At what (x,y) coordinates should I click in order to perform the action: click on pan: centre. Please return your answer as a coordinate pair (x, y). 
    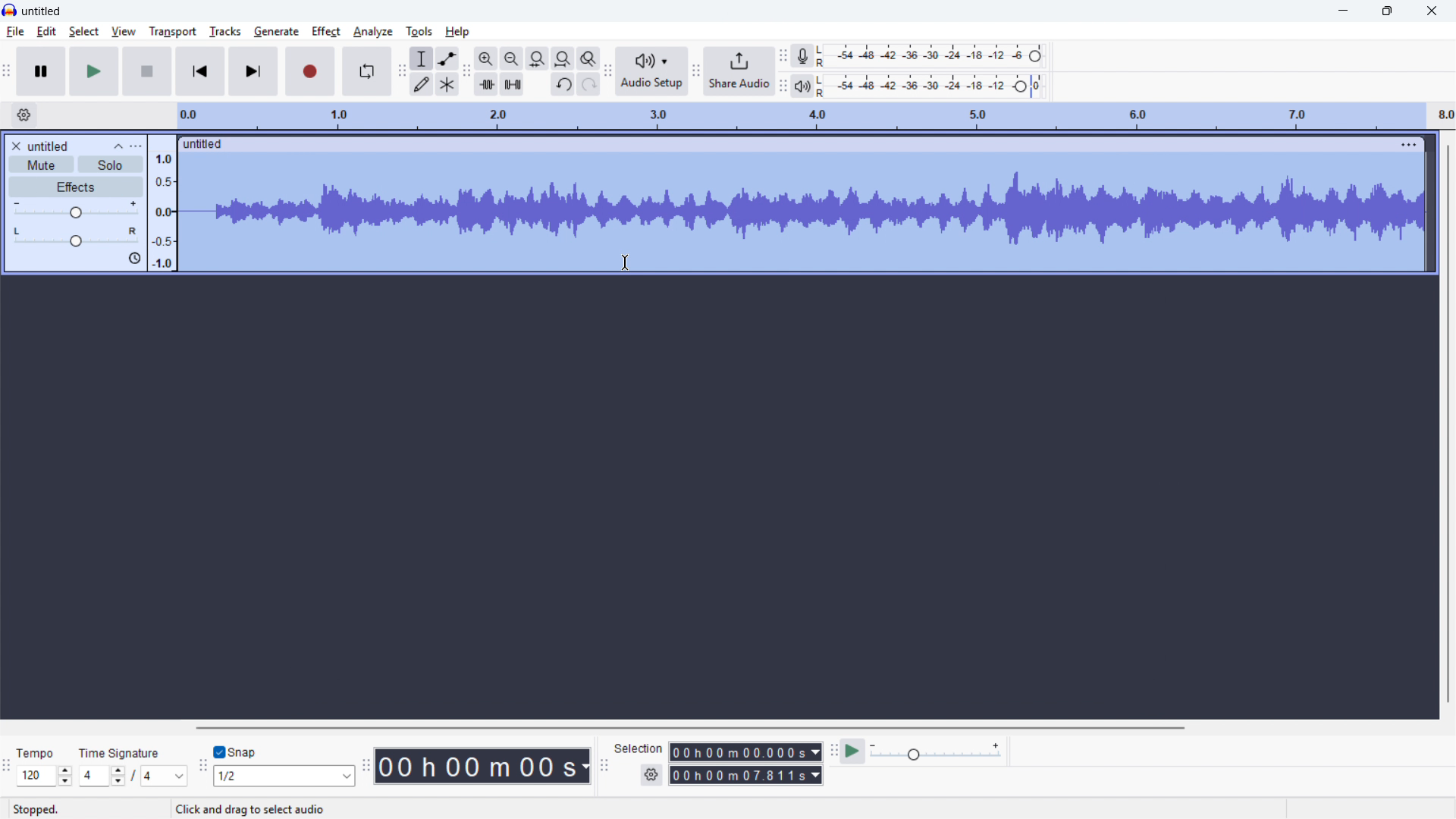
    Looking at the image, I should click on (76, 237).